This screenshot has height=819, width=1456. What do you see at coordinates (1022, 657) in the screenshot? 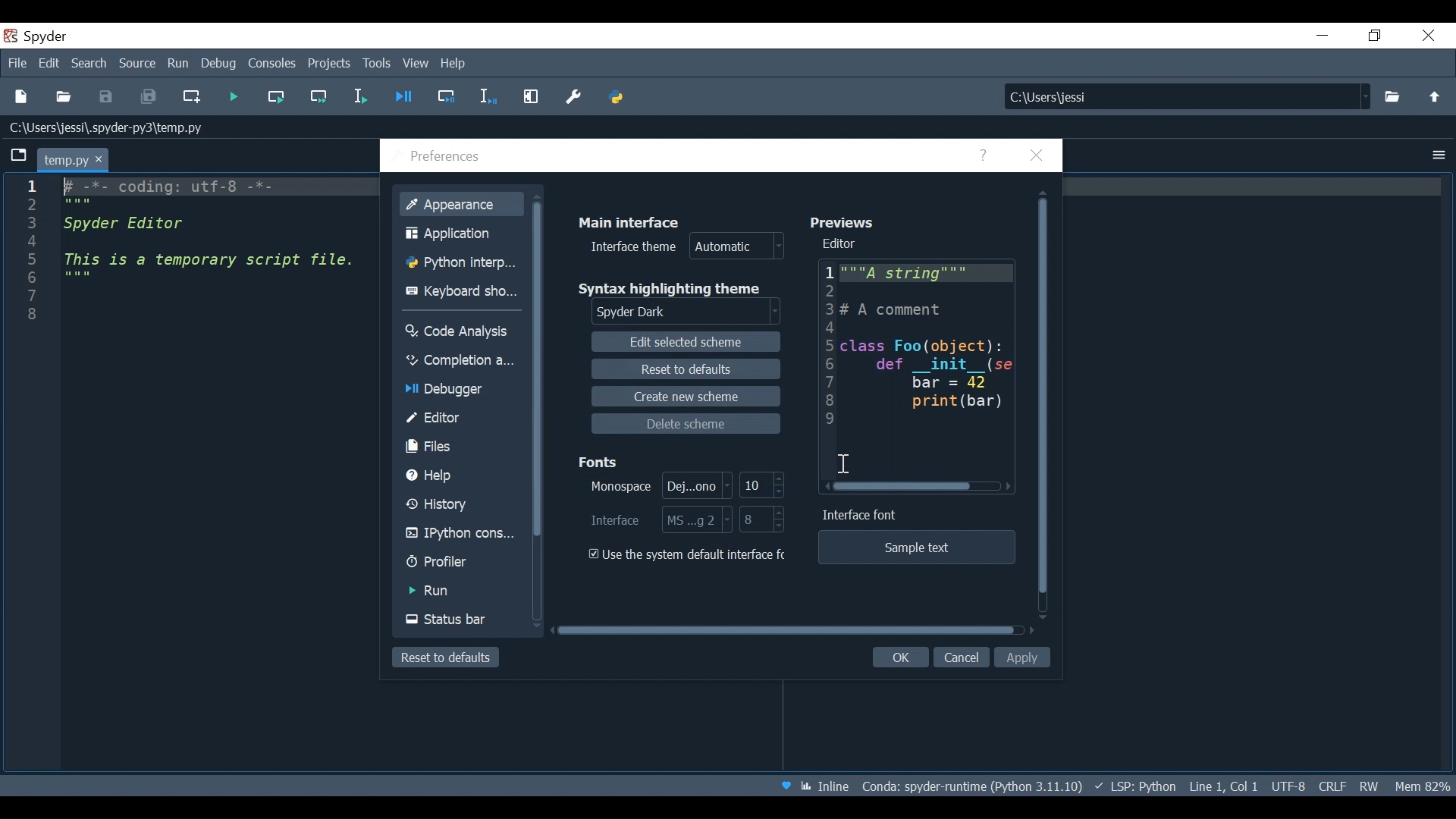
I see `Apply` at bounding box center [1022, 657].